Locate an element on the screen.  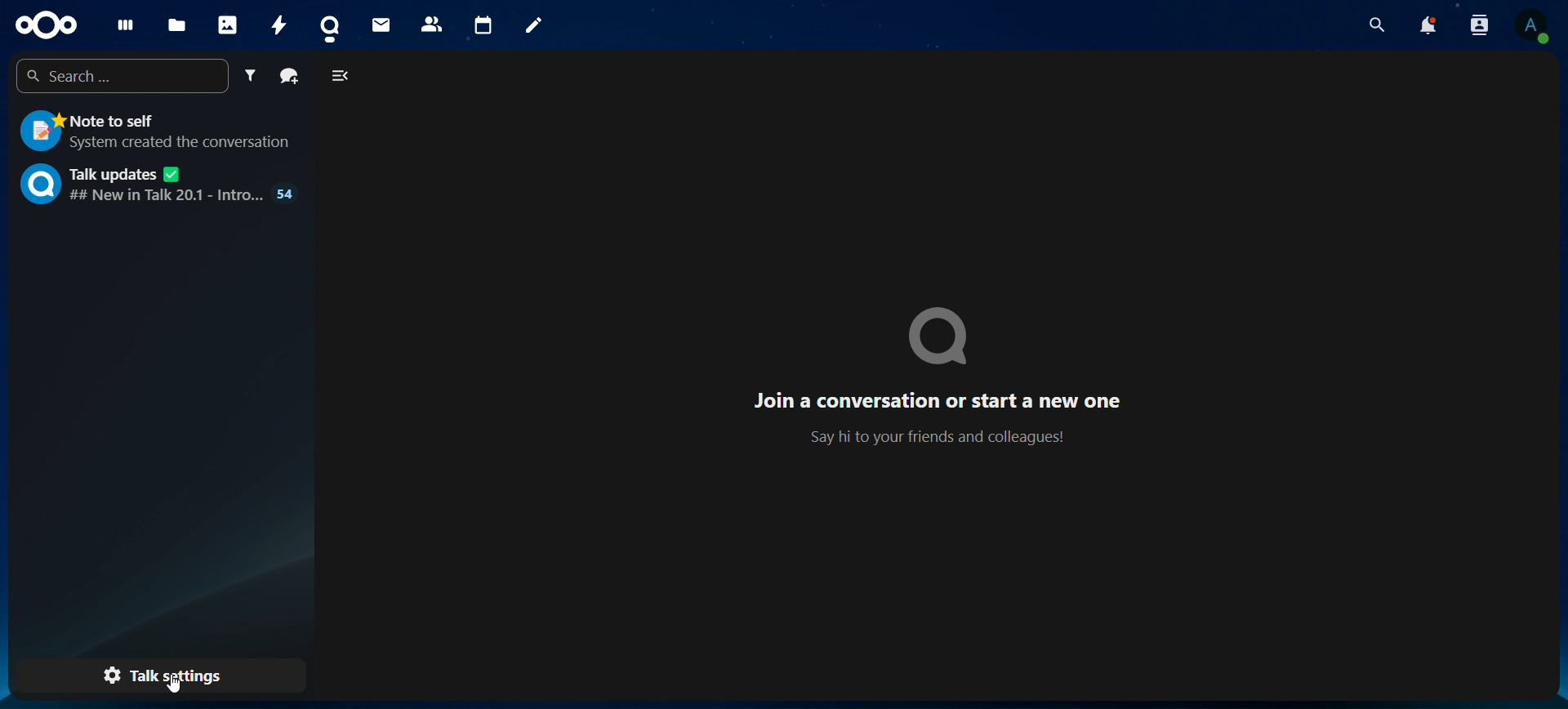
talk is located at coordinates (335, 22).